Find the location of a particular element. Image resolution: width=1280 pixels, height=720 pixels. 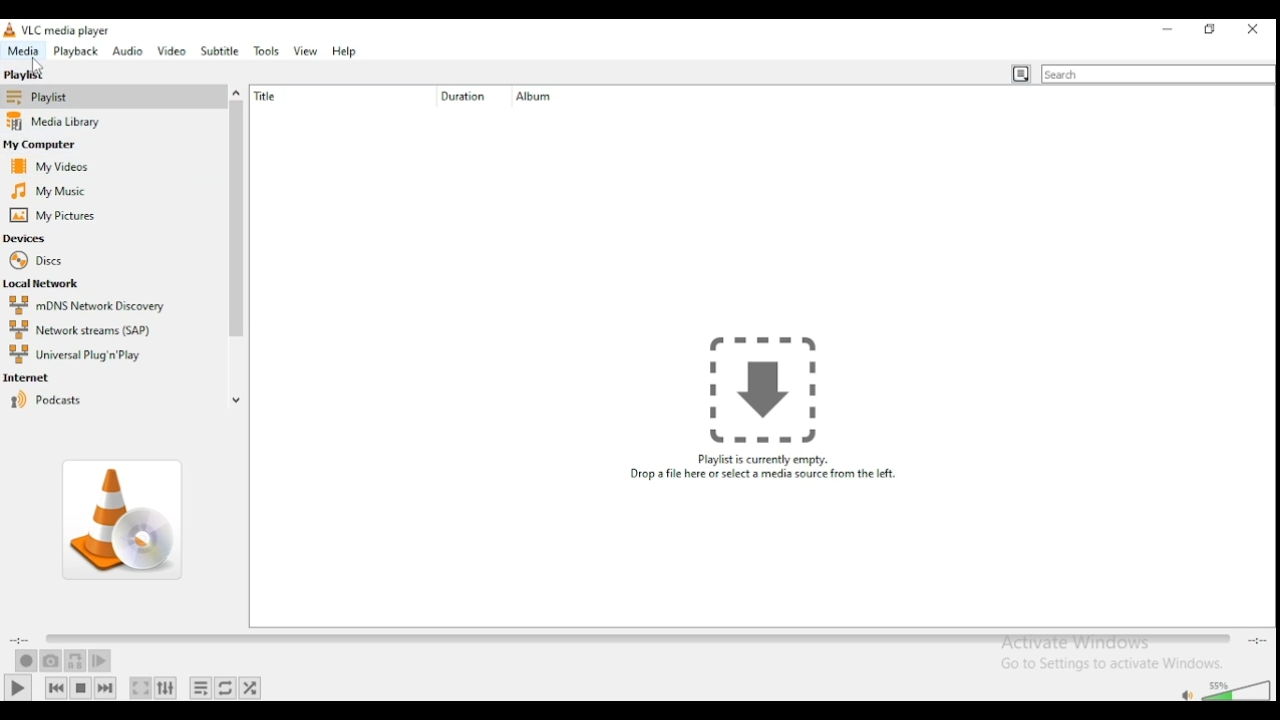

universal plug and play is located at coordinates (78, 356).